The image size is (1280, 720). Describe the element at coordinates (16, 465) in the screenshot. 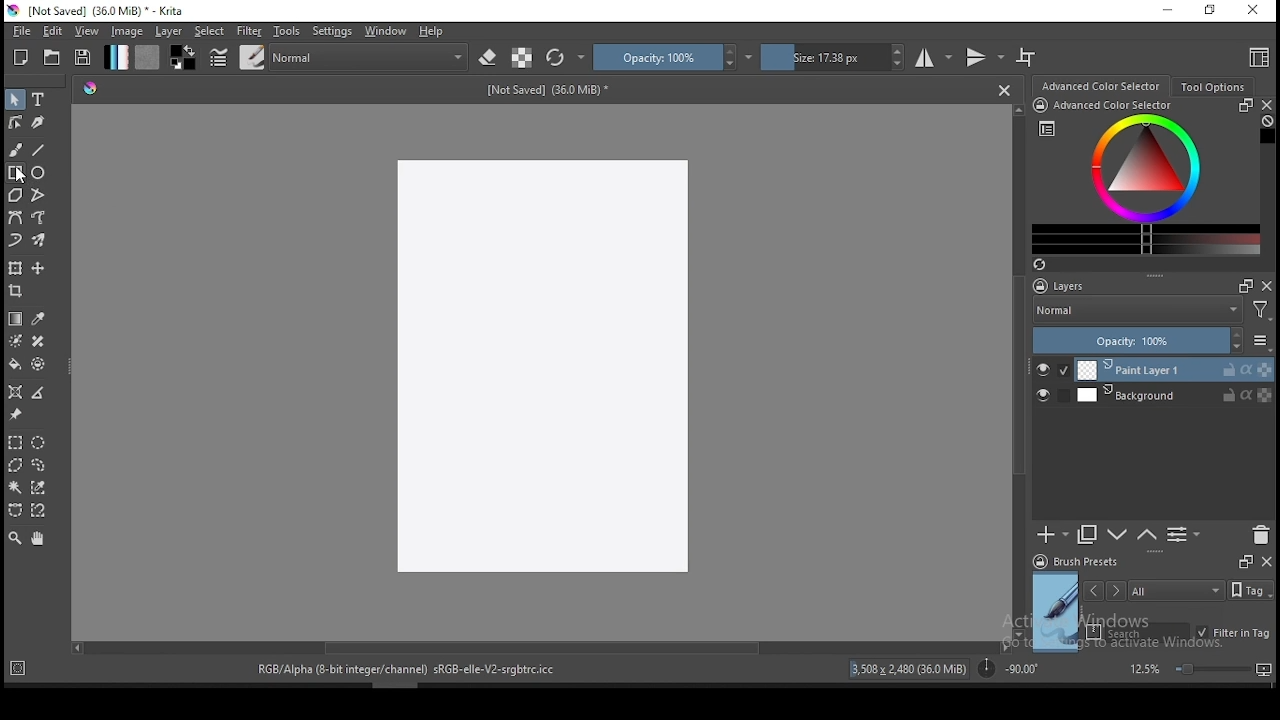

I see `polygon selection tool` at that location.